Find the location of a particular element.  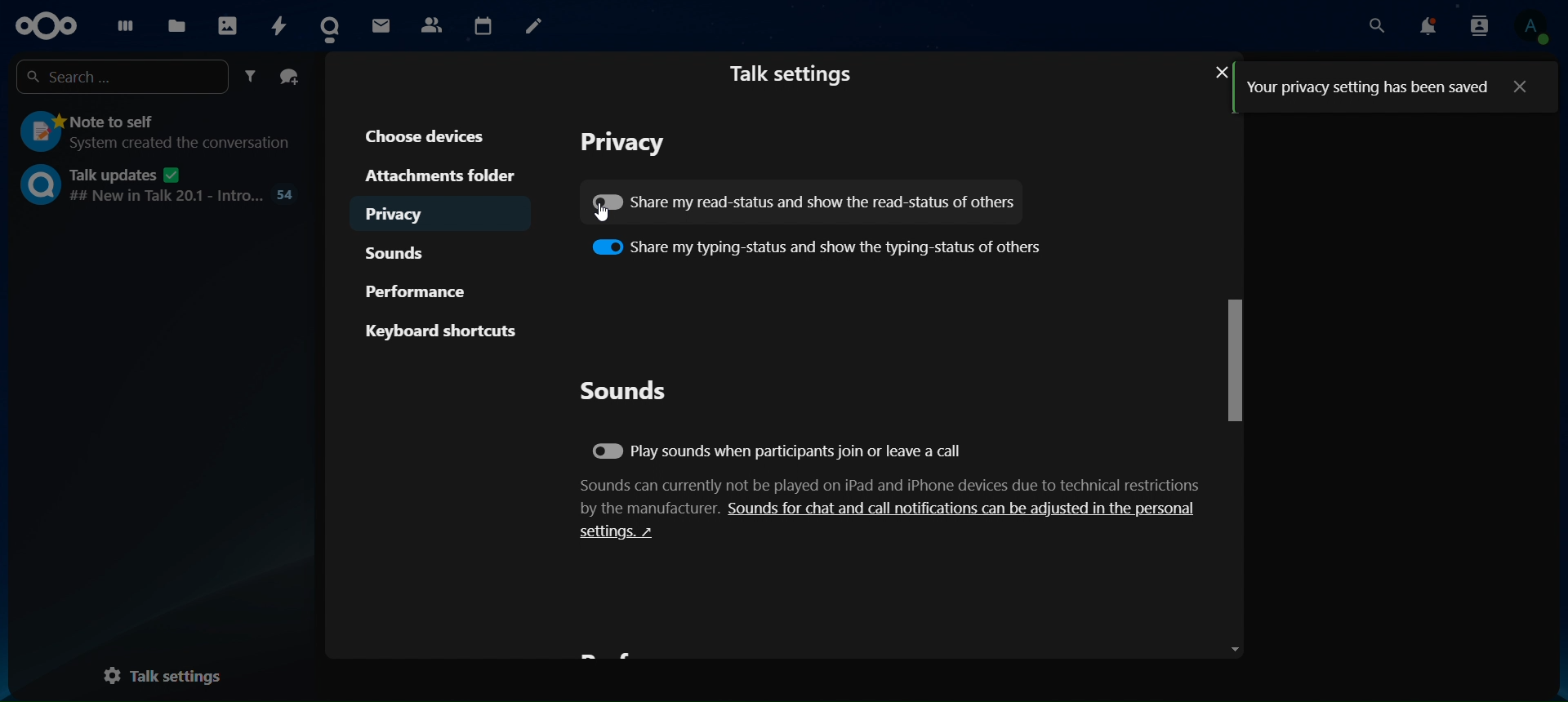

text is located at coordinates (1367, 86).